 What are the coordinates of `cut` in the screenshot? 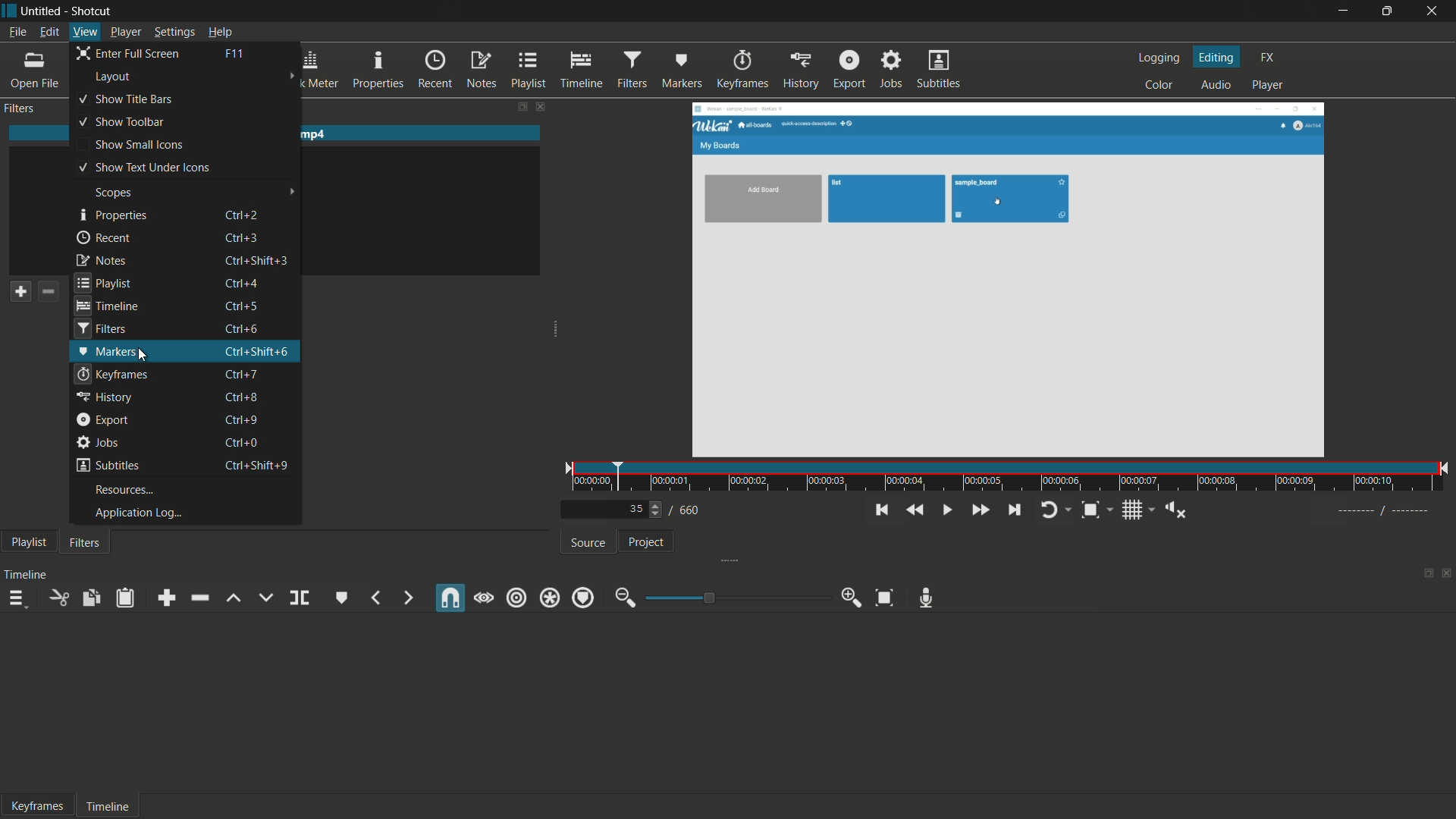 It's located at (58, 600).